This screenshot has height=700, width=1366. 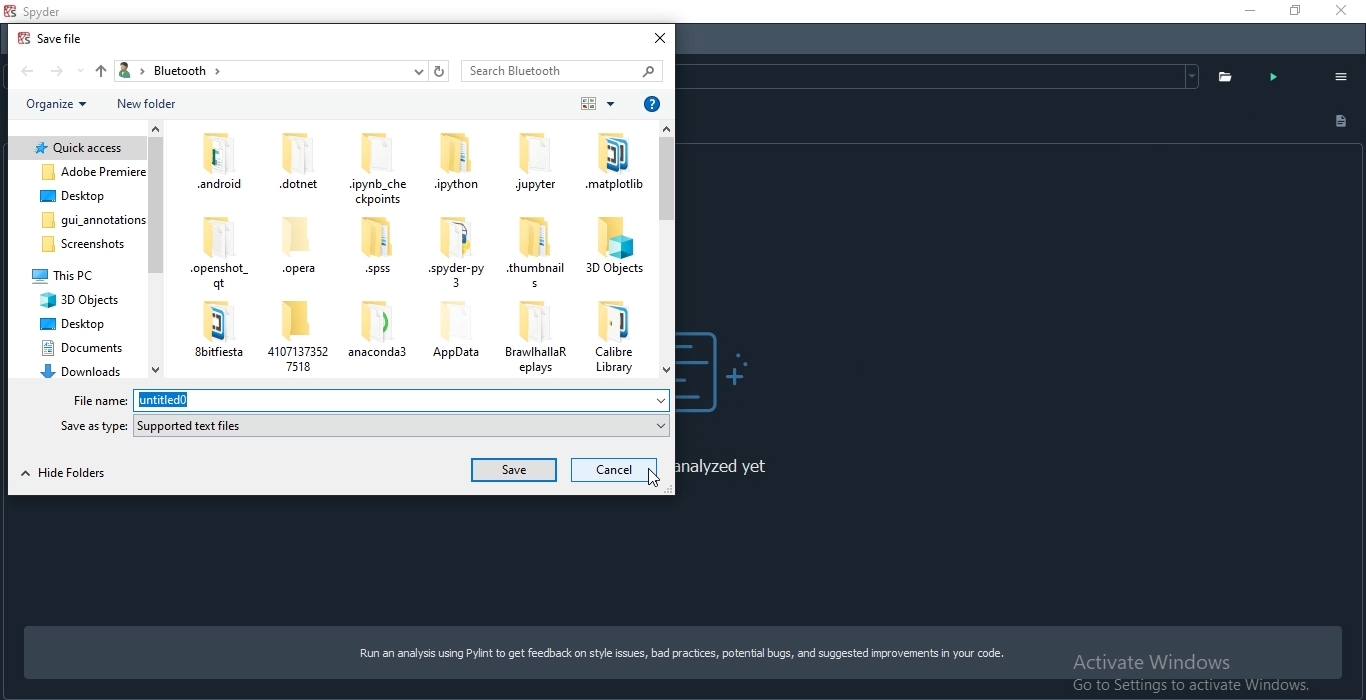 I want to click on help, so click(x=651, y=103).